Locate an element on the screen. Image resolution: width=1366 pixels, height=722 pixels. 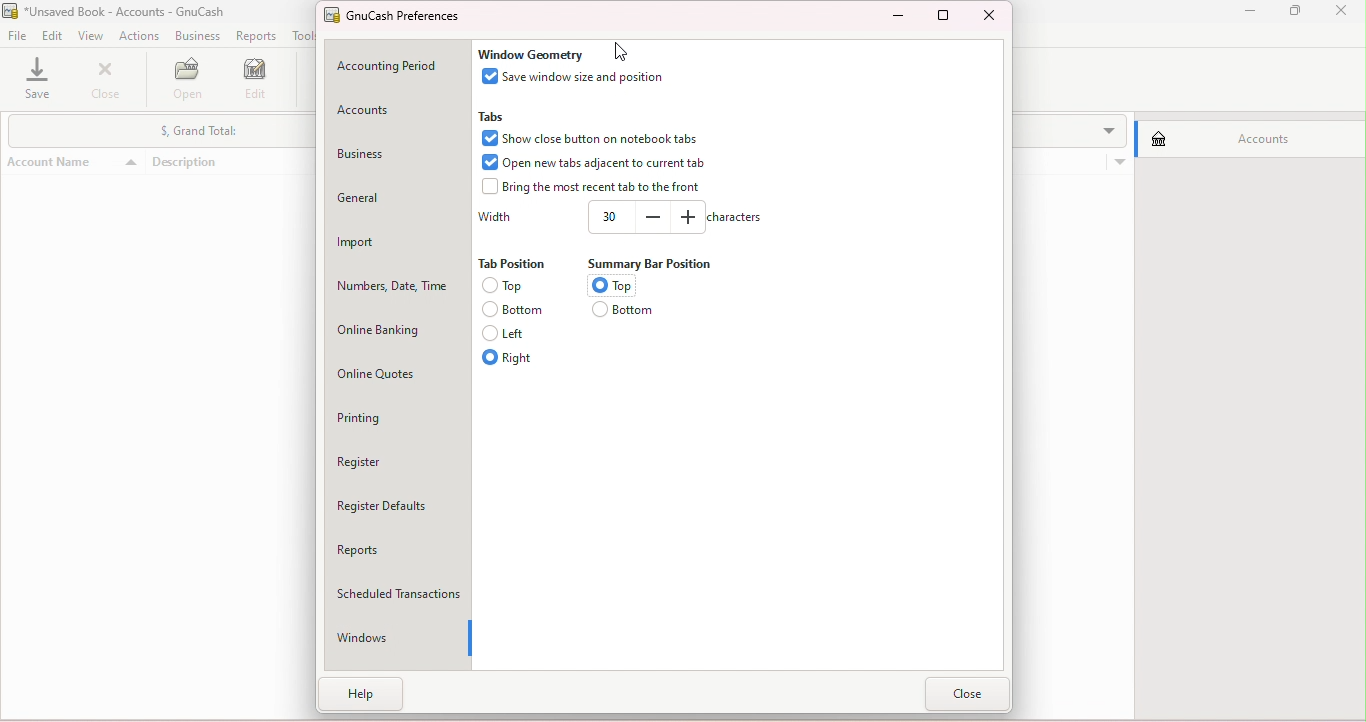
Register is located at coordinates (401, 459).